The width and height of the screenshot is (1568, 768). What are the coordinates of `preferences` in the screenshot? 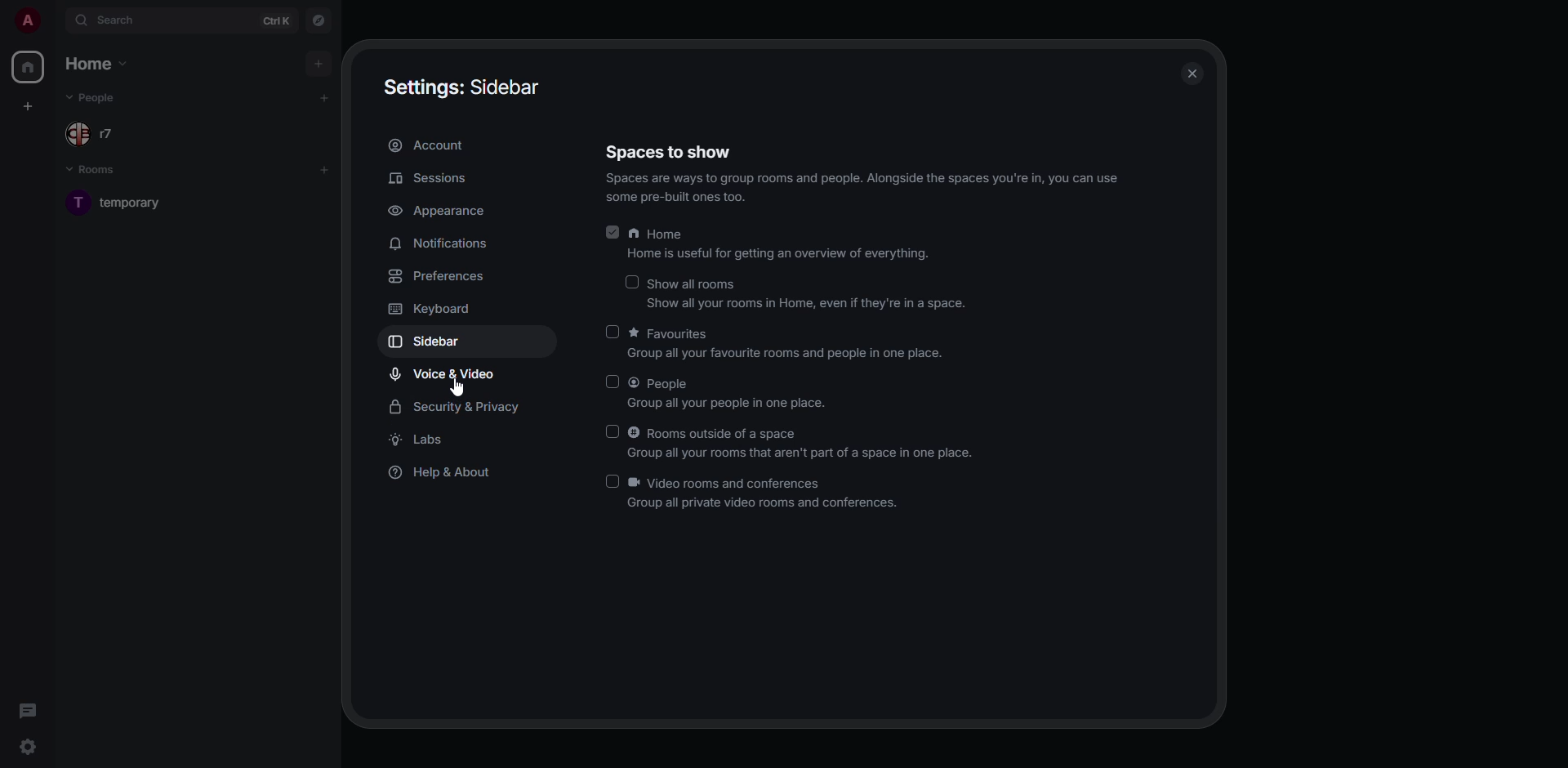 It's located at (447, 275).